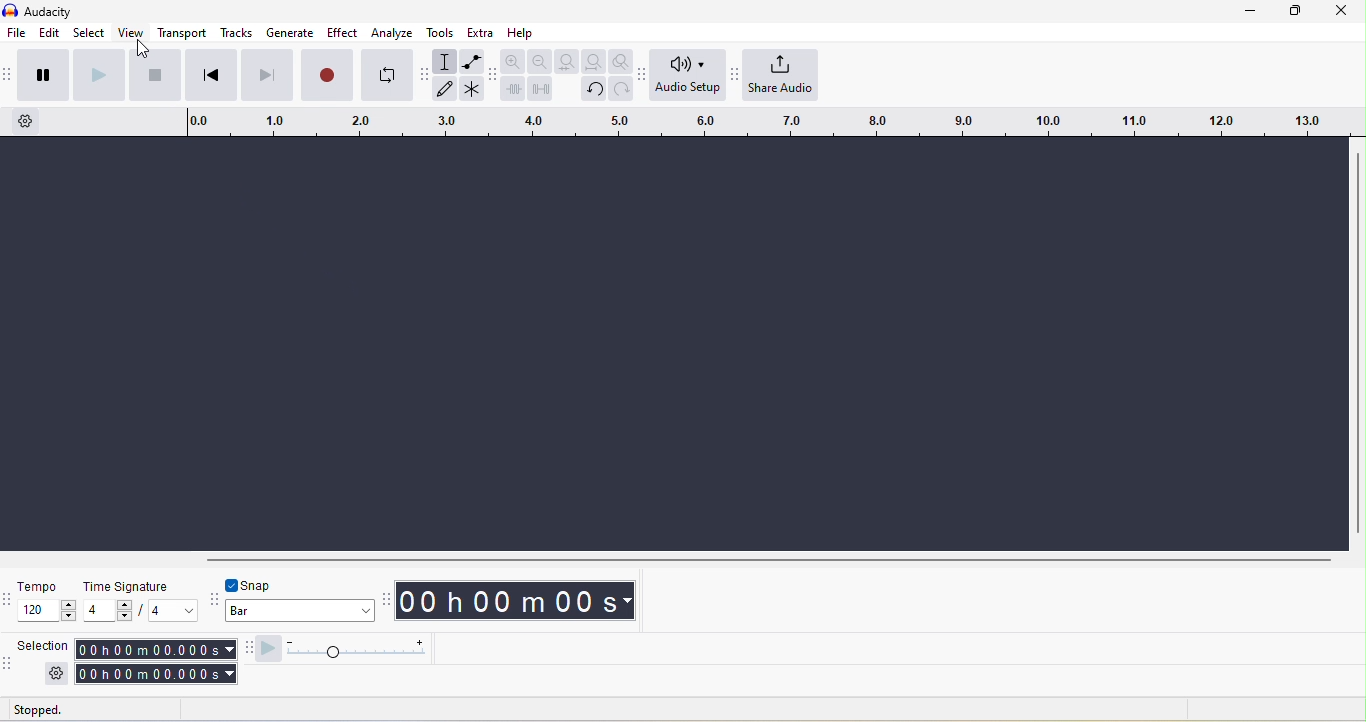 This screenshot has height=722, width=1366. I want to click on share audio, so click(781, 74).